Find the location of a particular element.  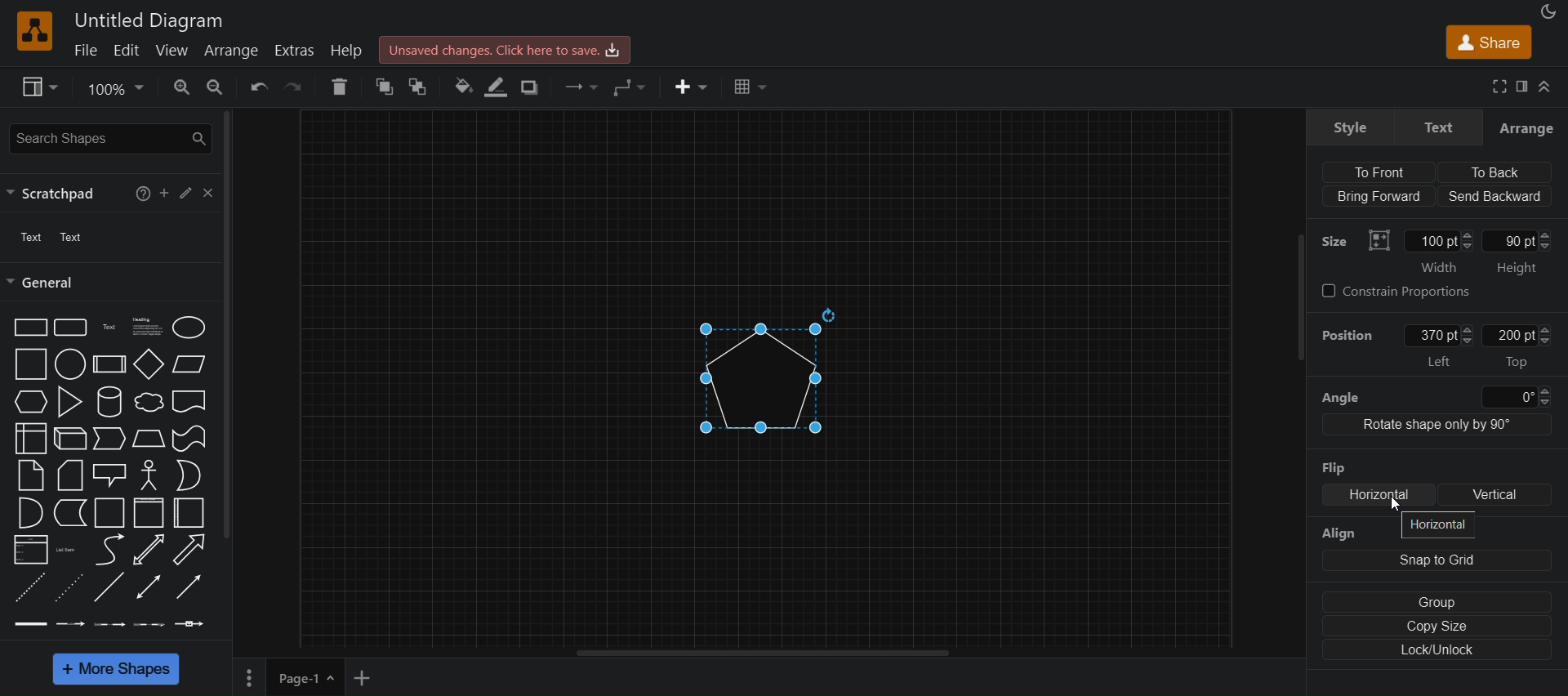

Connector with symbol is located at coordinates (190, 624).